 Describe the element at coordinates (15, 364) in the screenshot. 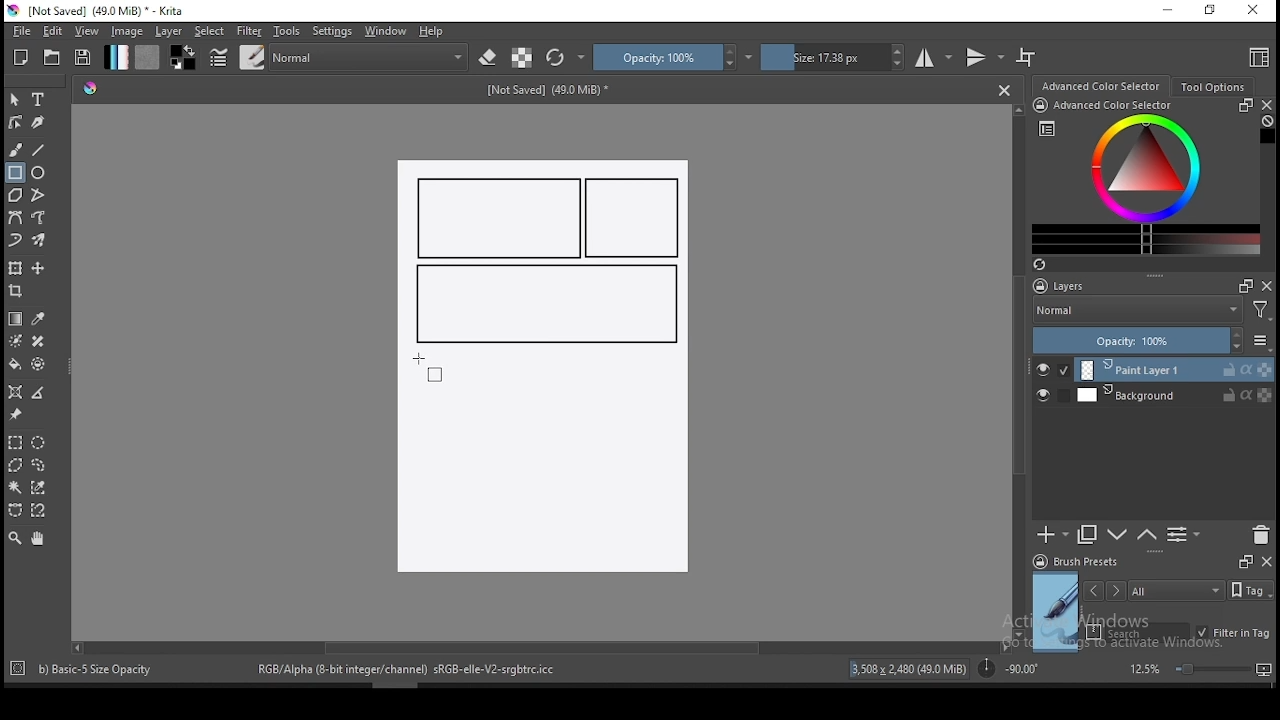

I see `paint bucket tool` at that location.